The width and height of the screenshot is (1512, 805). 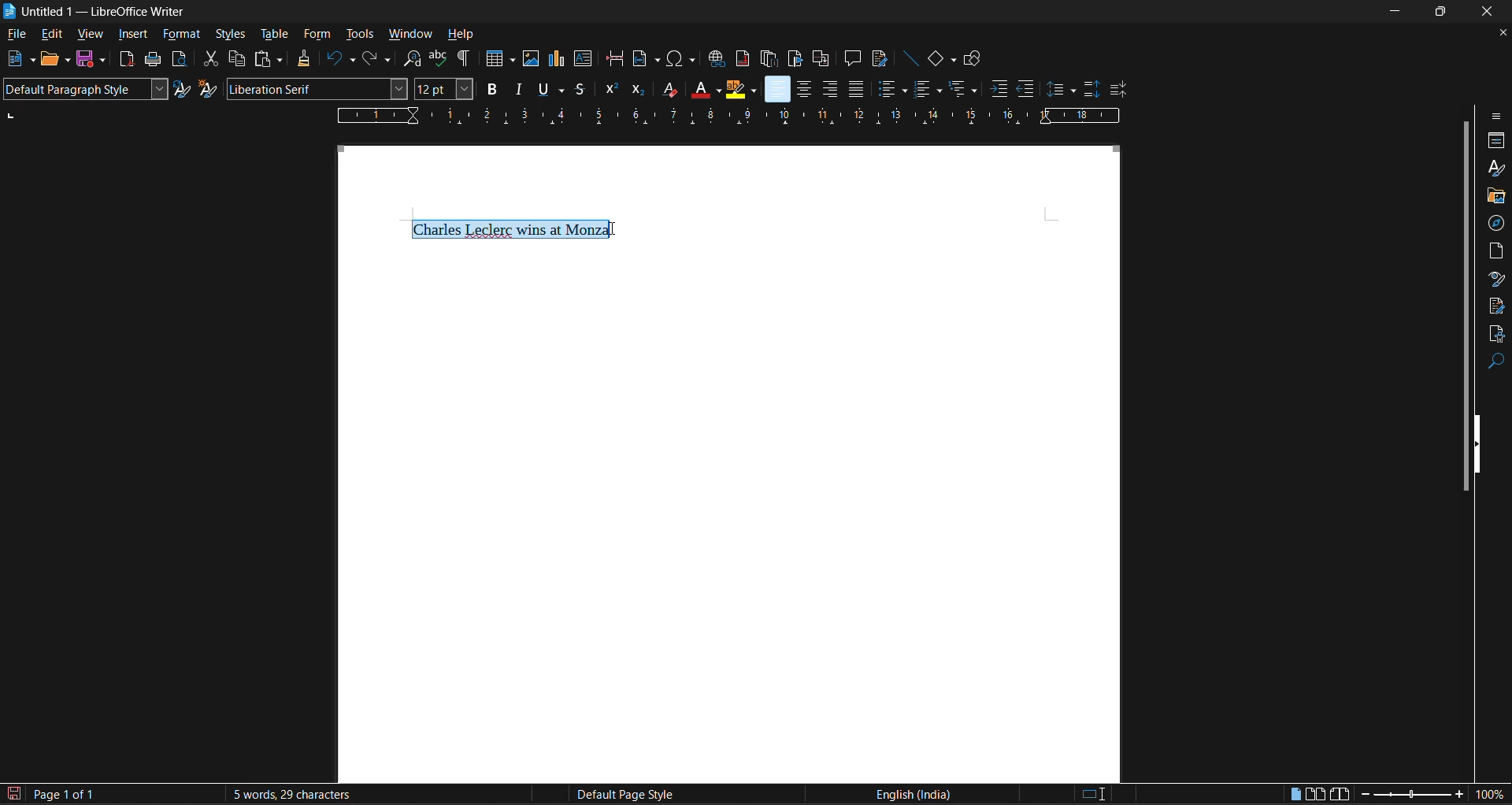 I want to click on style inspector, so click(x=1496, y=278).